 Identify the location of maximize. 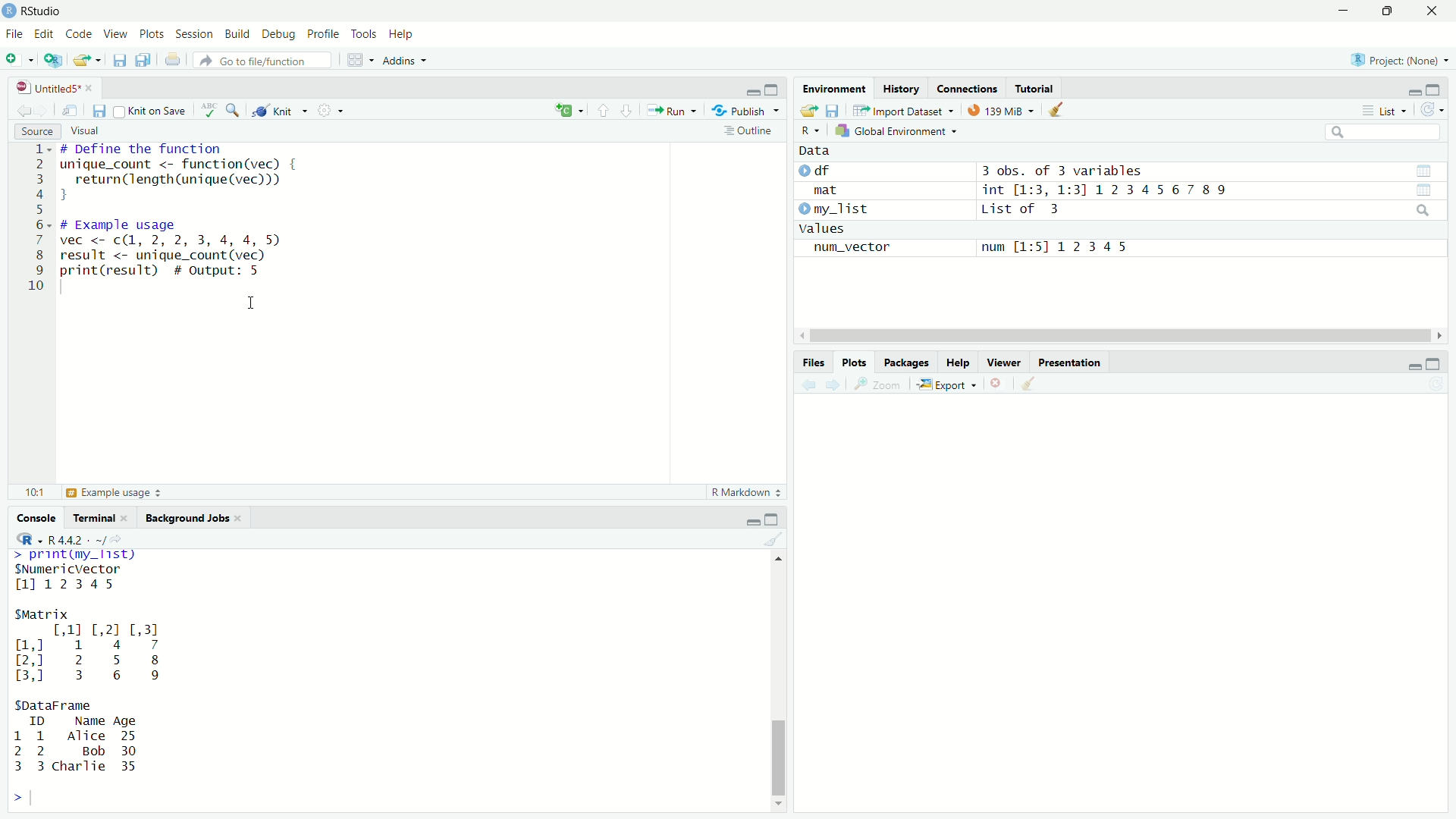
(1389, 11).